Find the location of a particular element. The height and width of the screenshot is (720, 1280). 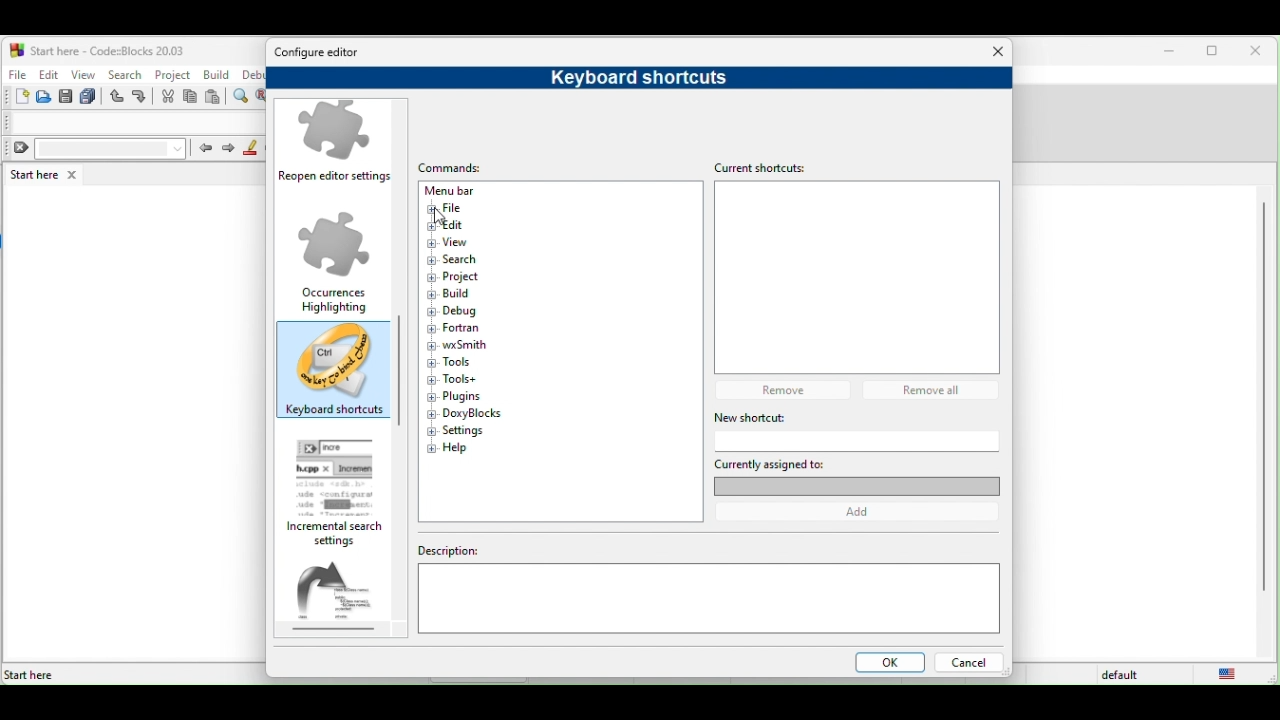

next  is located at coordinates (228, 149).